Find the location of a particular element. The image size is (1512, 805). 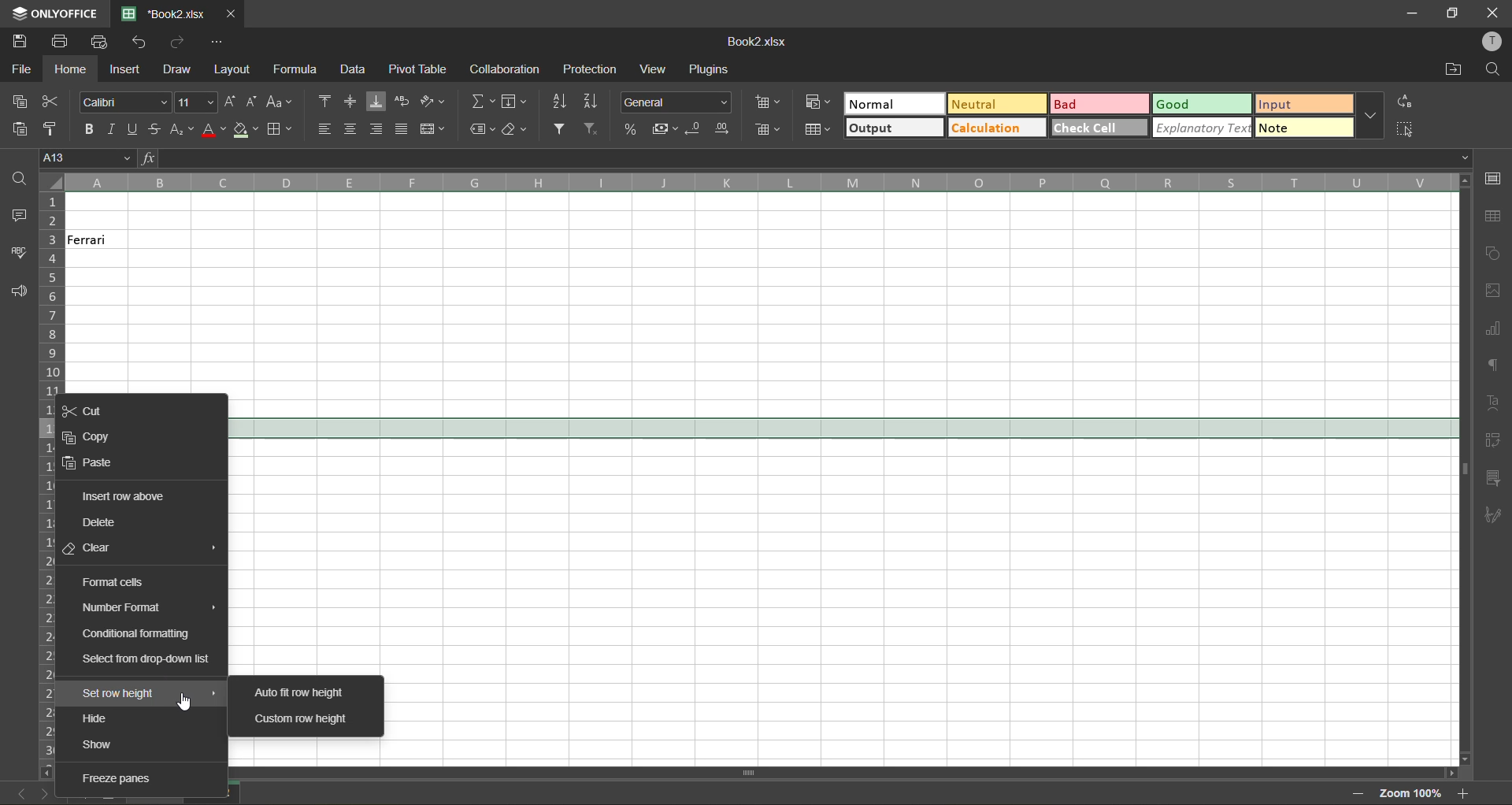

protection is located at coordinates (593, 70).